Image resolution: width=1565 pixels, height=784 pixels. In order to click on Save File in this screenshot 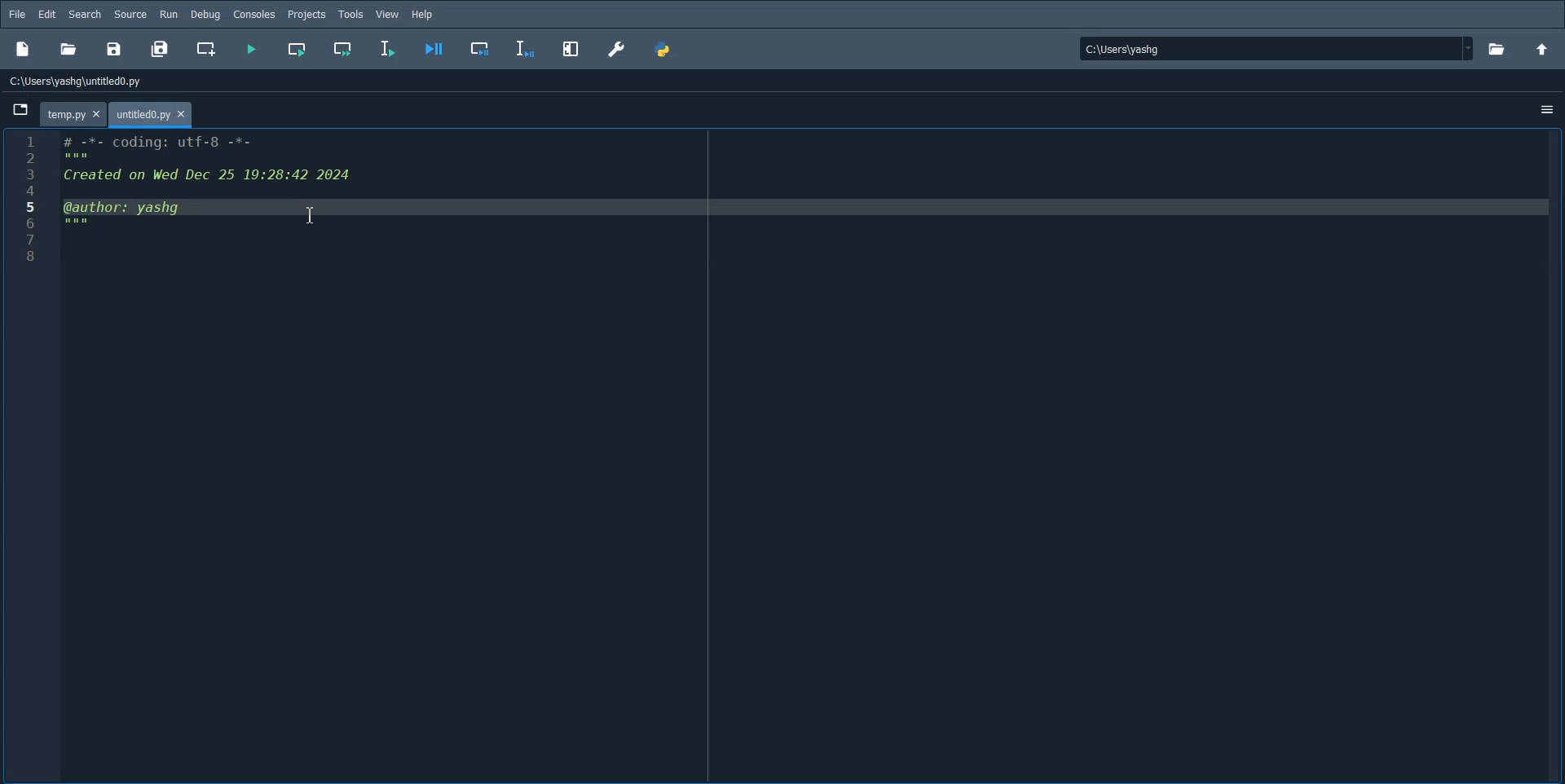, I will do `click(117, 49)`.